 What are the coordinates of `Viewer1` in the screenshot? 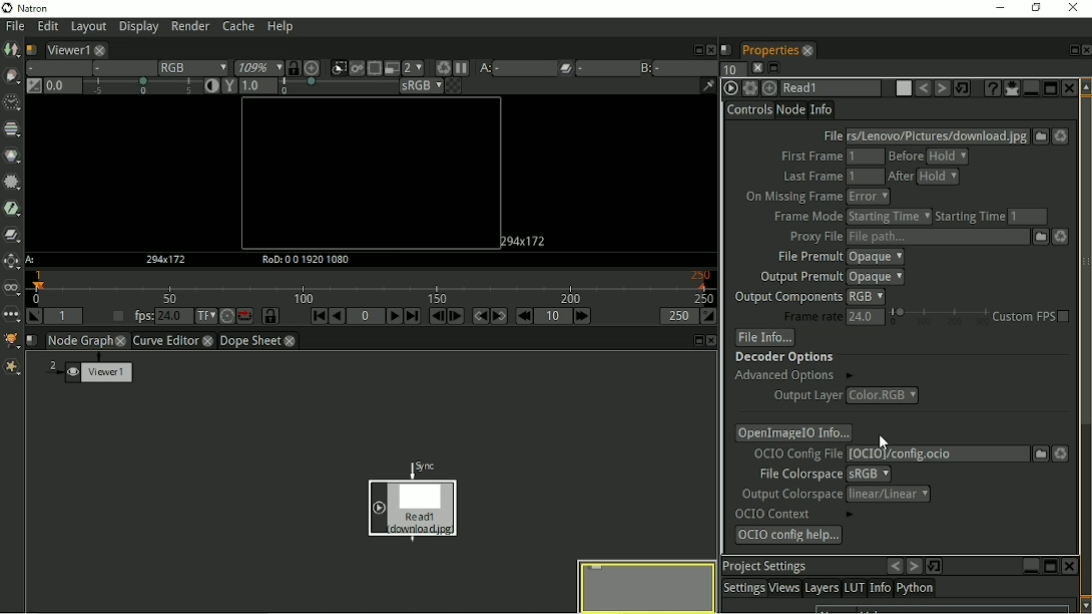 It's located at (73, 48).